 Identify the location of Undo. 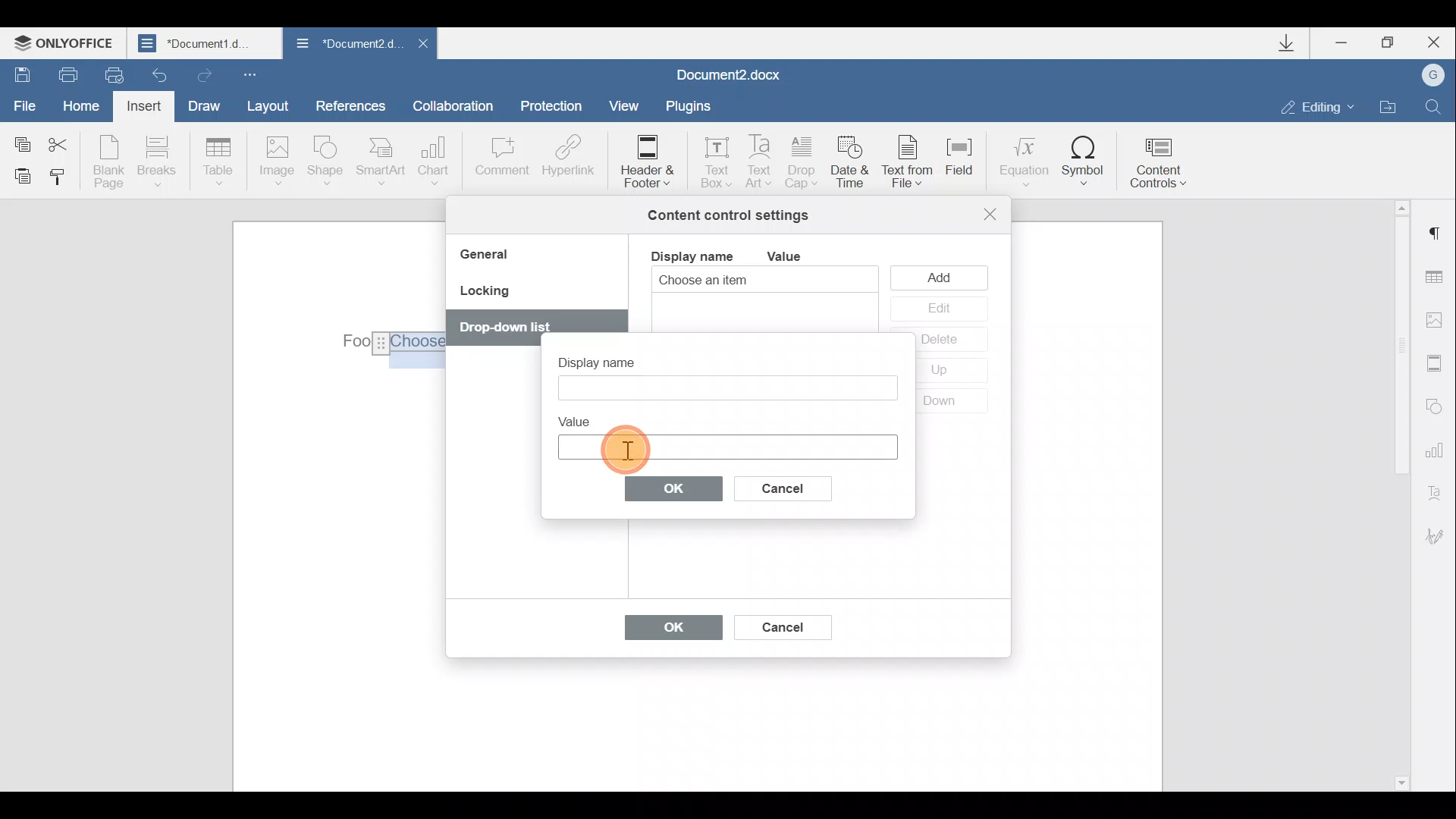
(161, 71).